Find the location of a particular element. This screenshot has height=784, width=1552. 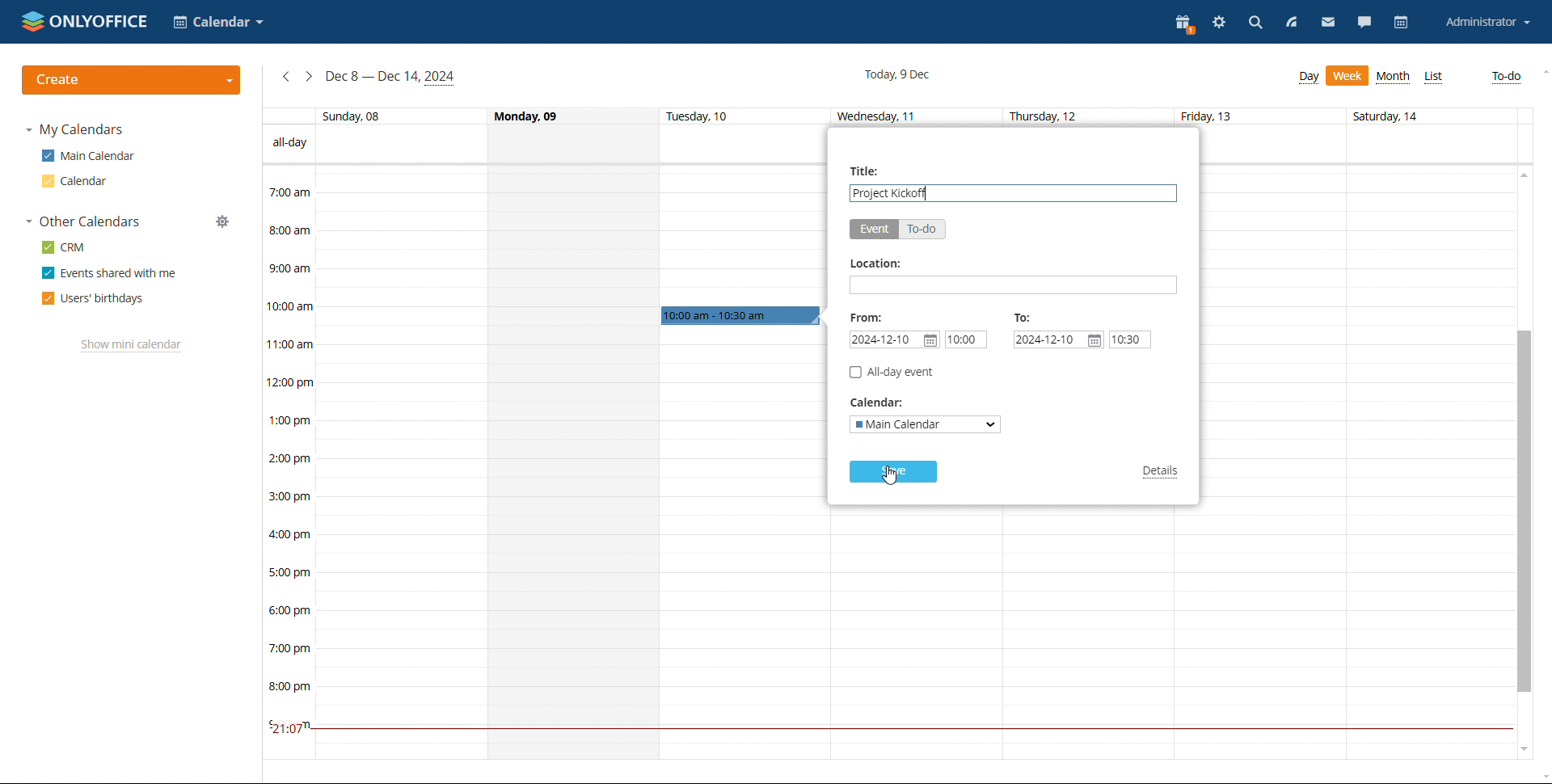

scrollbar is located at coordinates (1522, 512).